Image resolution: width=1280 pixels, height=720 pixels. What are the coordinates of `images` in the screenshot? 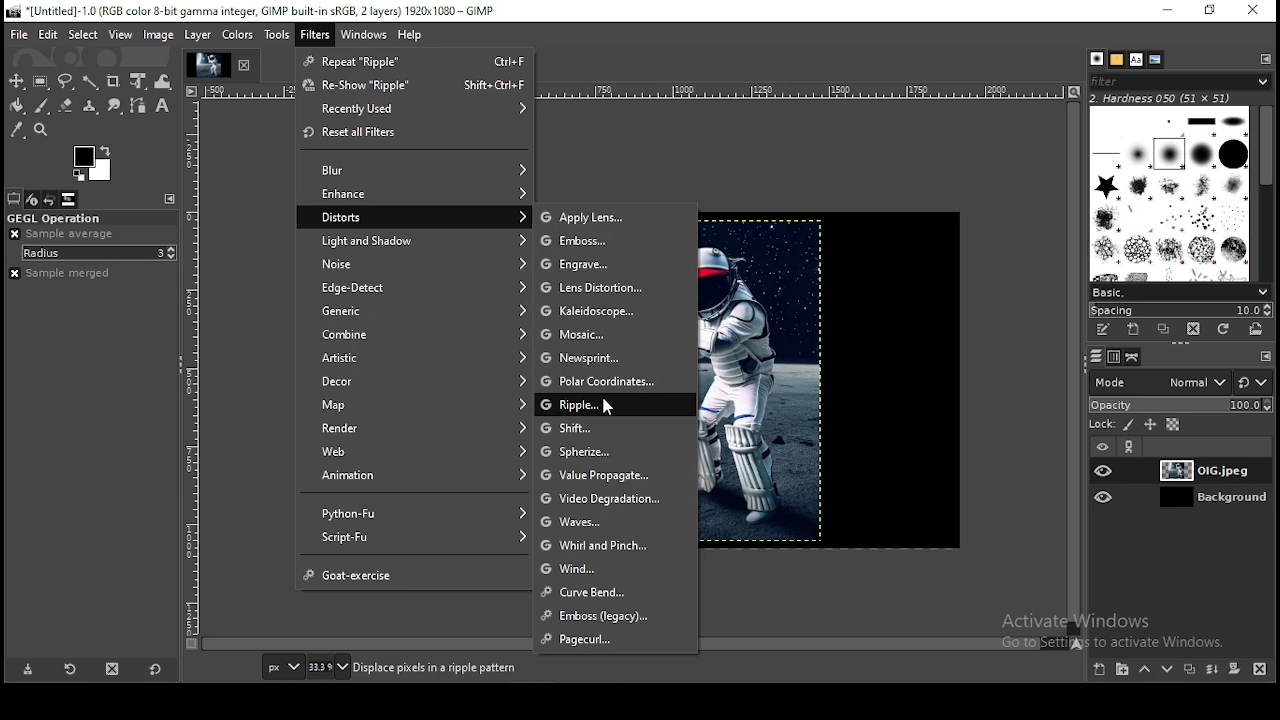 It's located at (69, 199).